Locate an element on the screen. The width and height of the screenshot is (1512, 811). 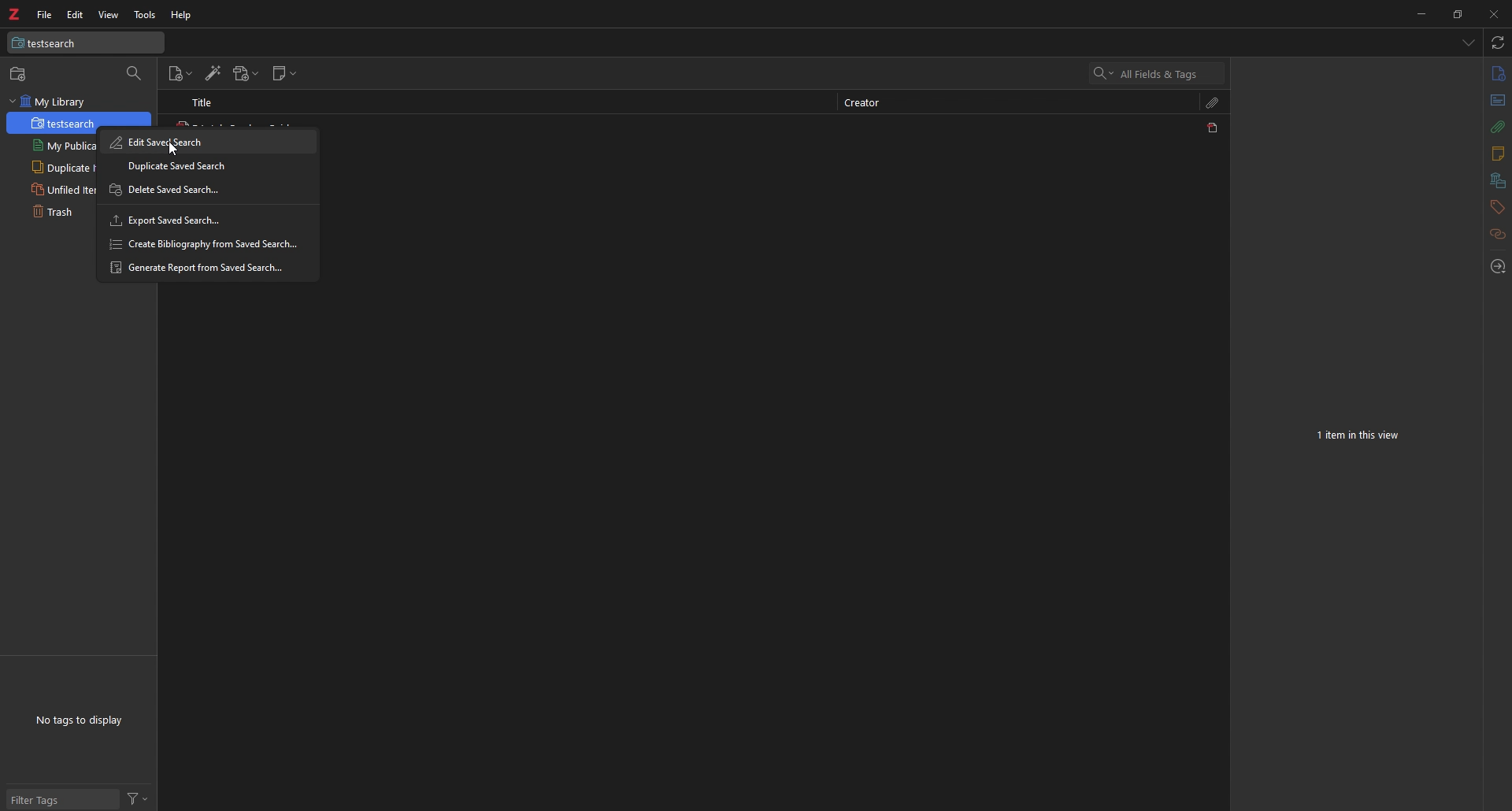
related is located at coordinates (1499, 235).